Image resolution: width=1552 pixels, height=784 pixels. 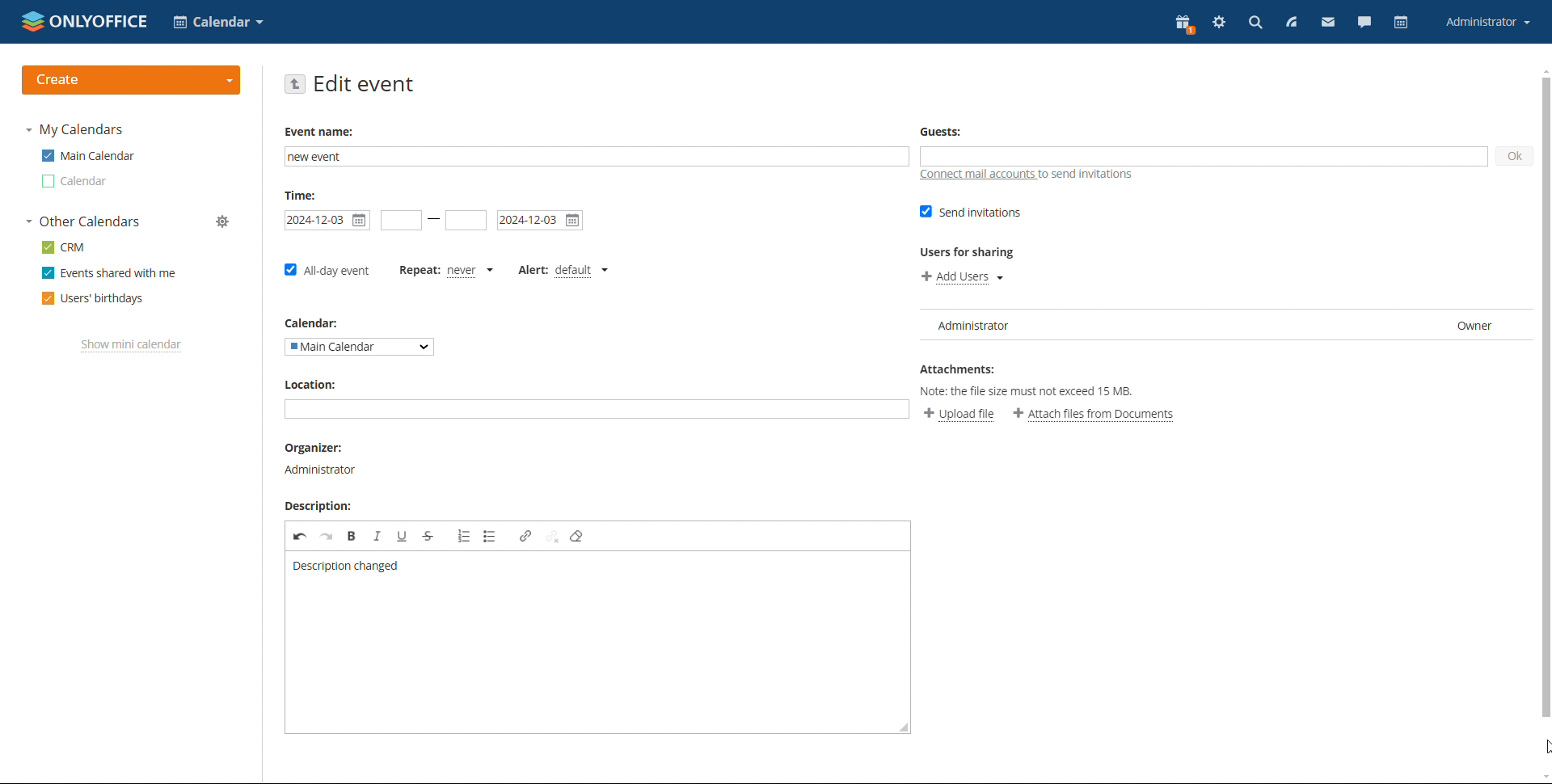 What do you see at coordinates (474, 271) in the screenshot?
I see `never` at bounding box center [474, 271].